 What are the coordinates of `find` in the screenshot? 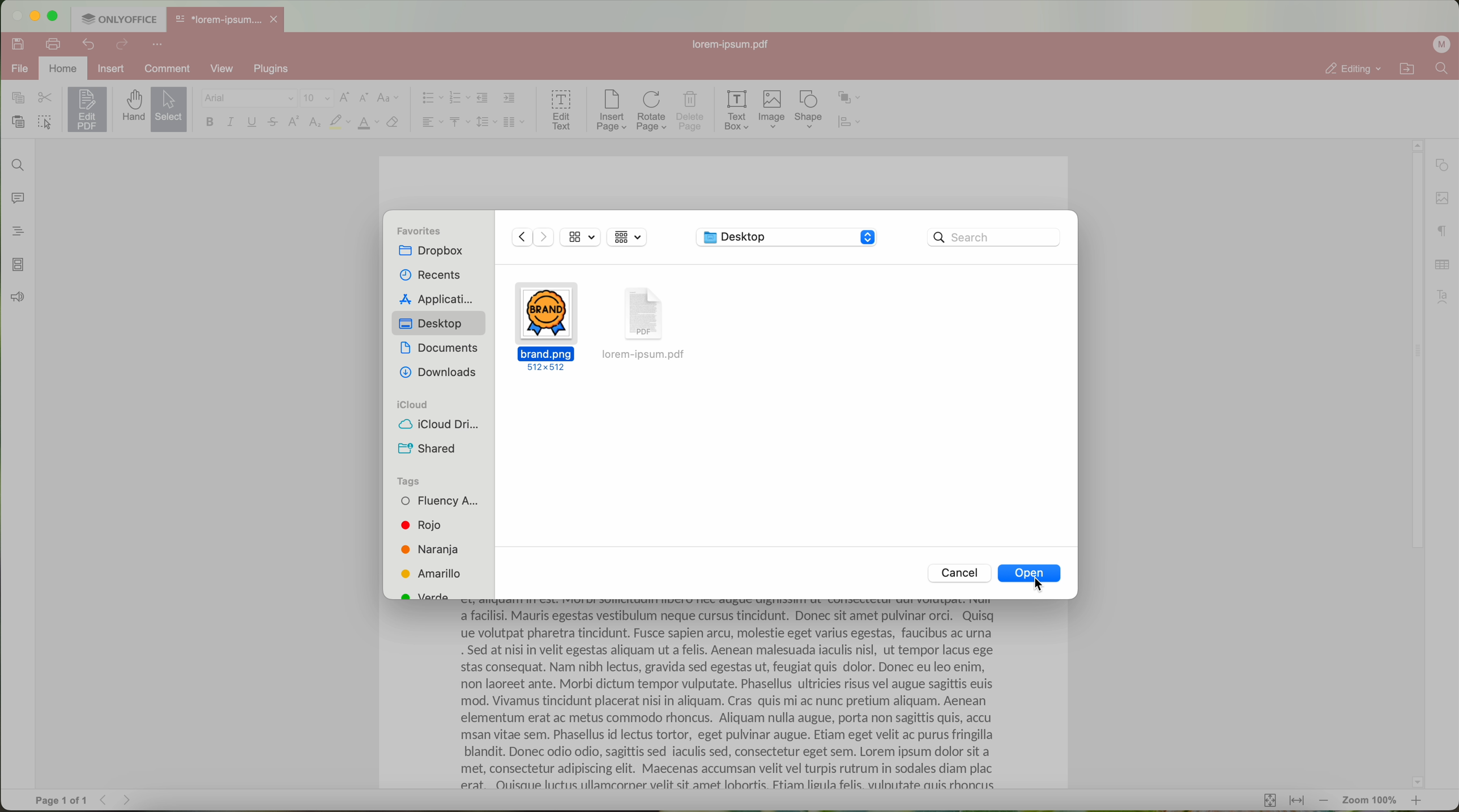 It's located at (15, 164).